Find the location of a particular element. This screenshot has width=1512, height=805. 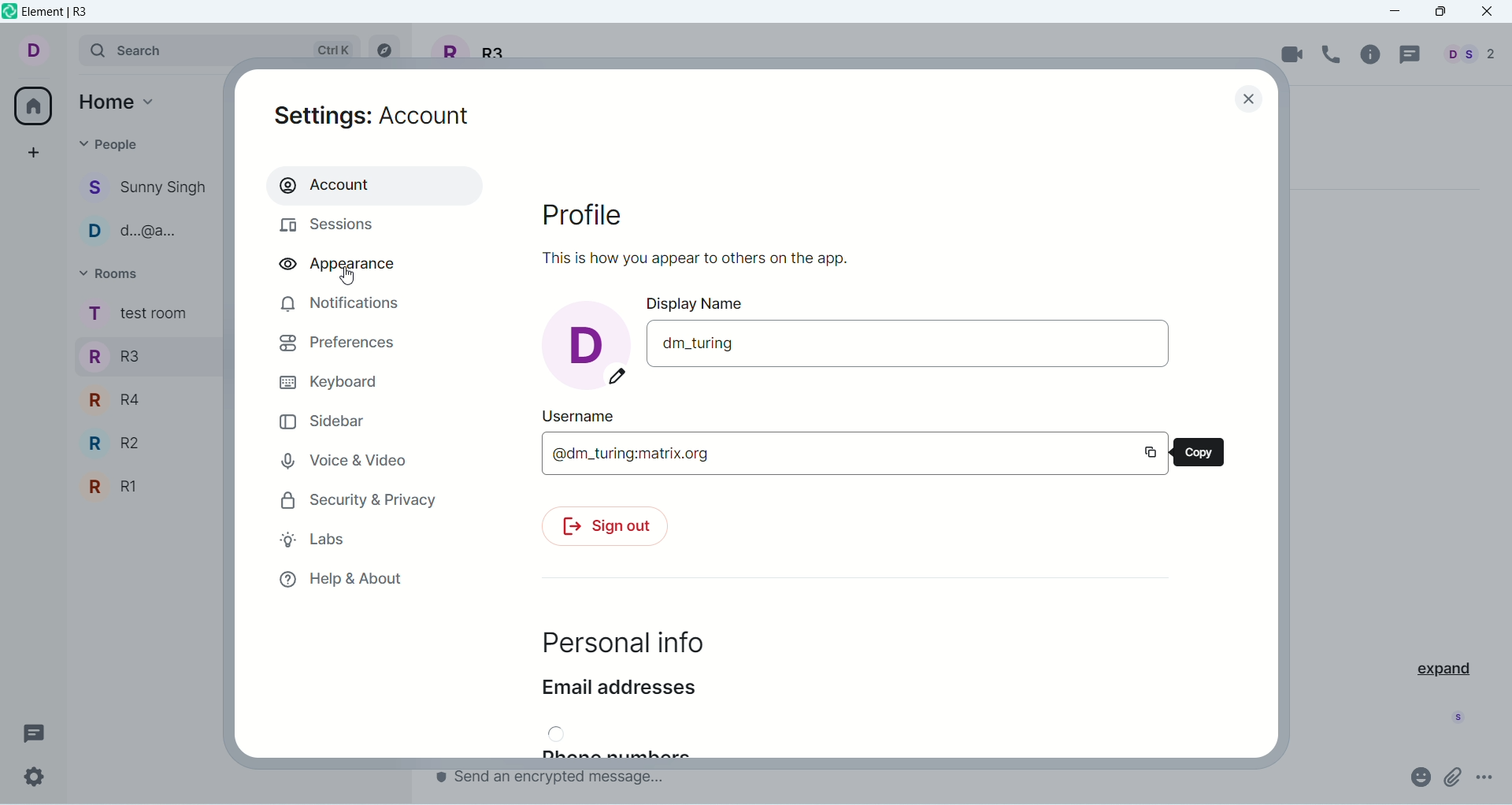

video call is located at coordinates (1293, 54).